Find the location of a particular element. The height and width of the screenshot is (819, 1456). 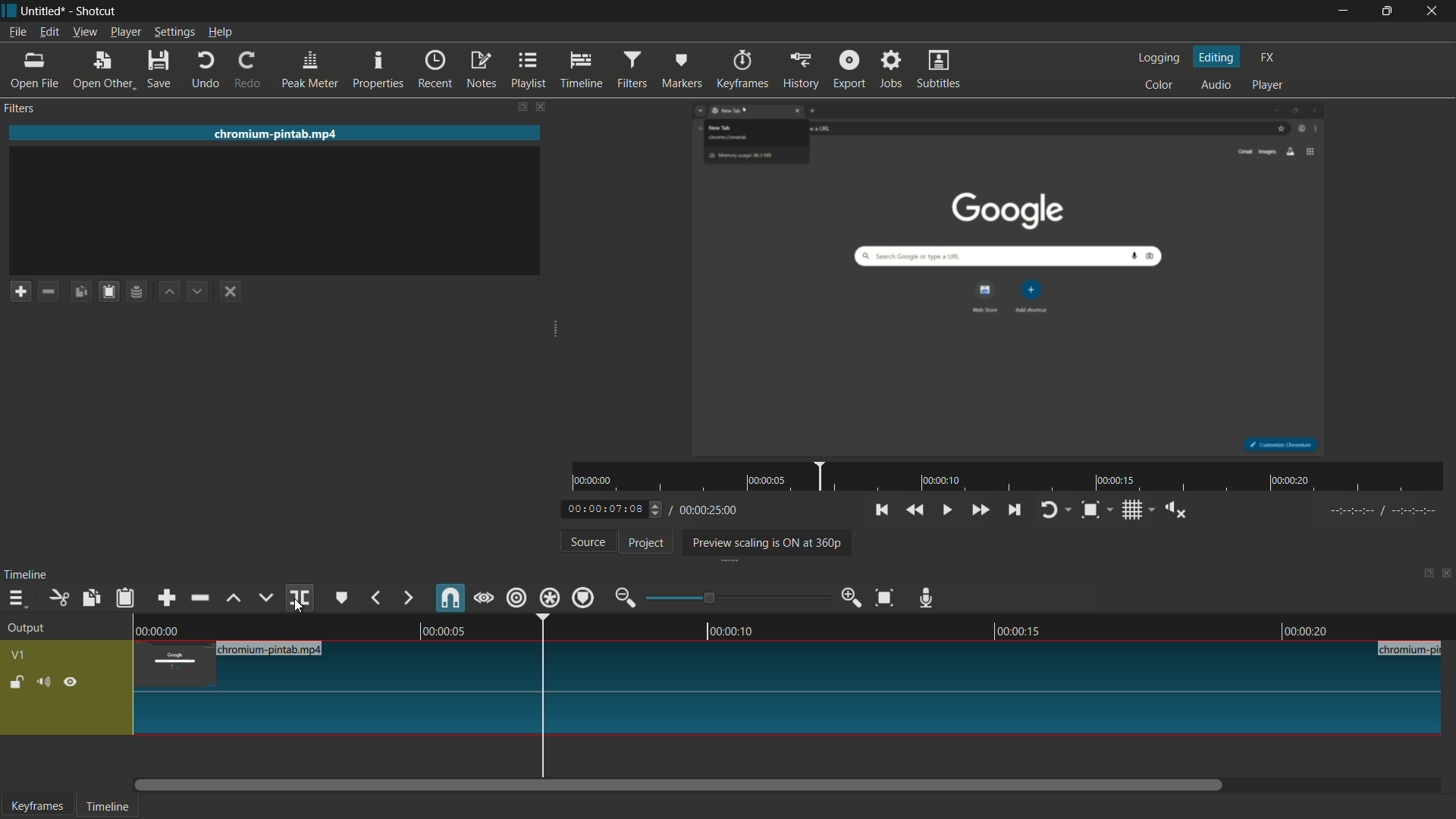

view menu is located at coordinates (83, 33).